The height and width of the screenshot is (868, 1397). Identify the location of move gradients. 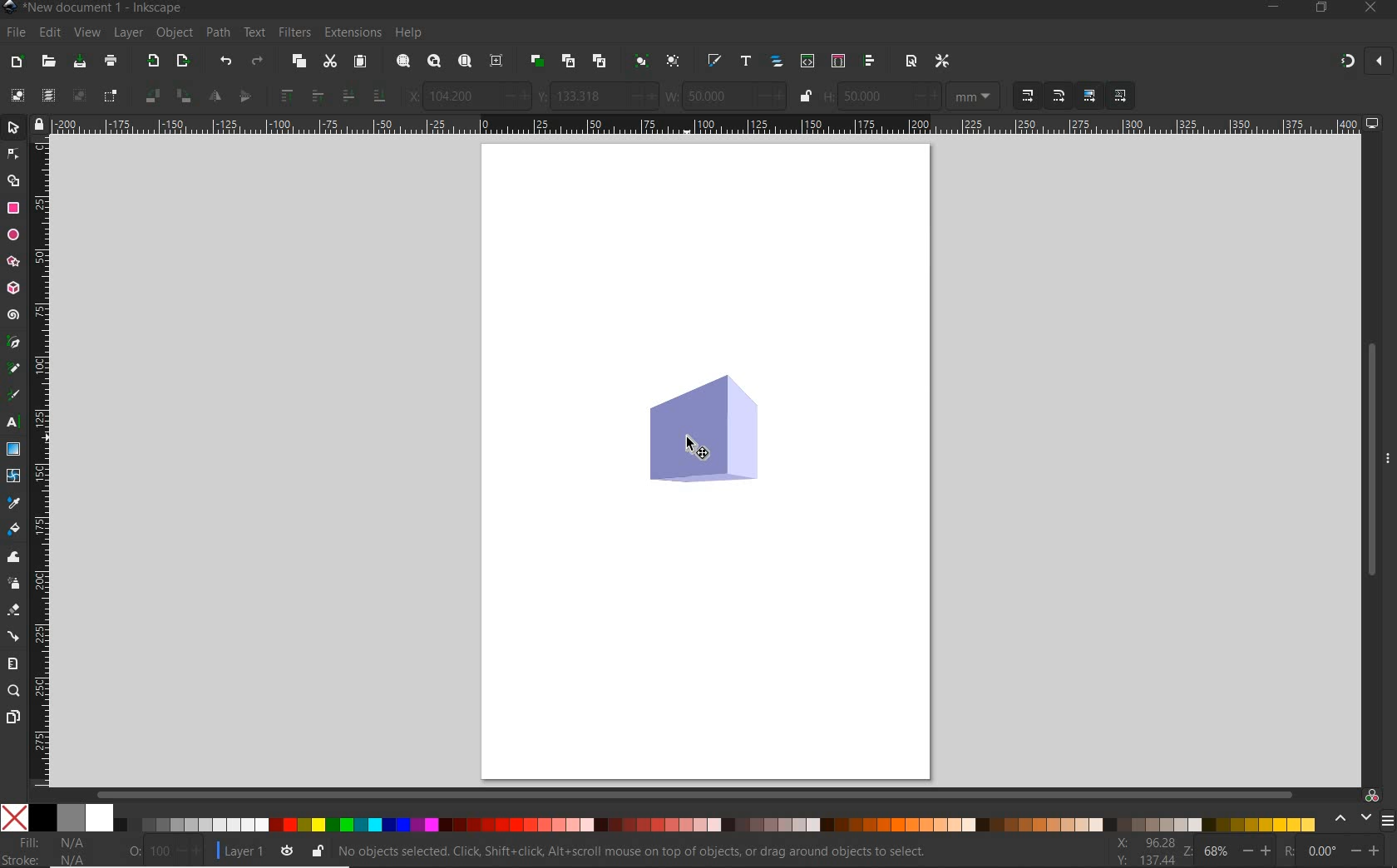
(1090, 96).